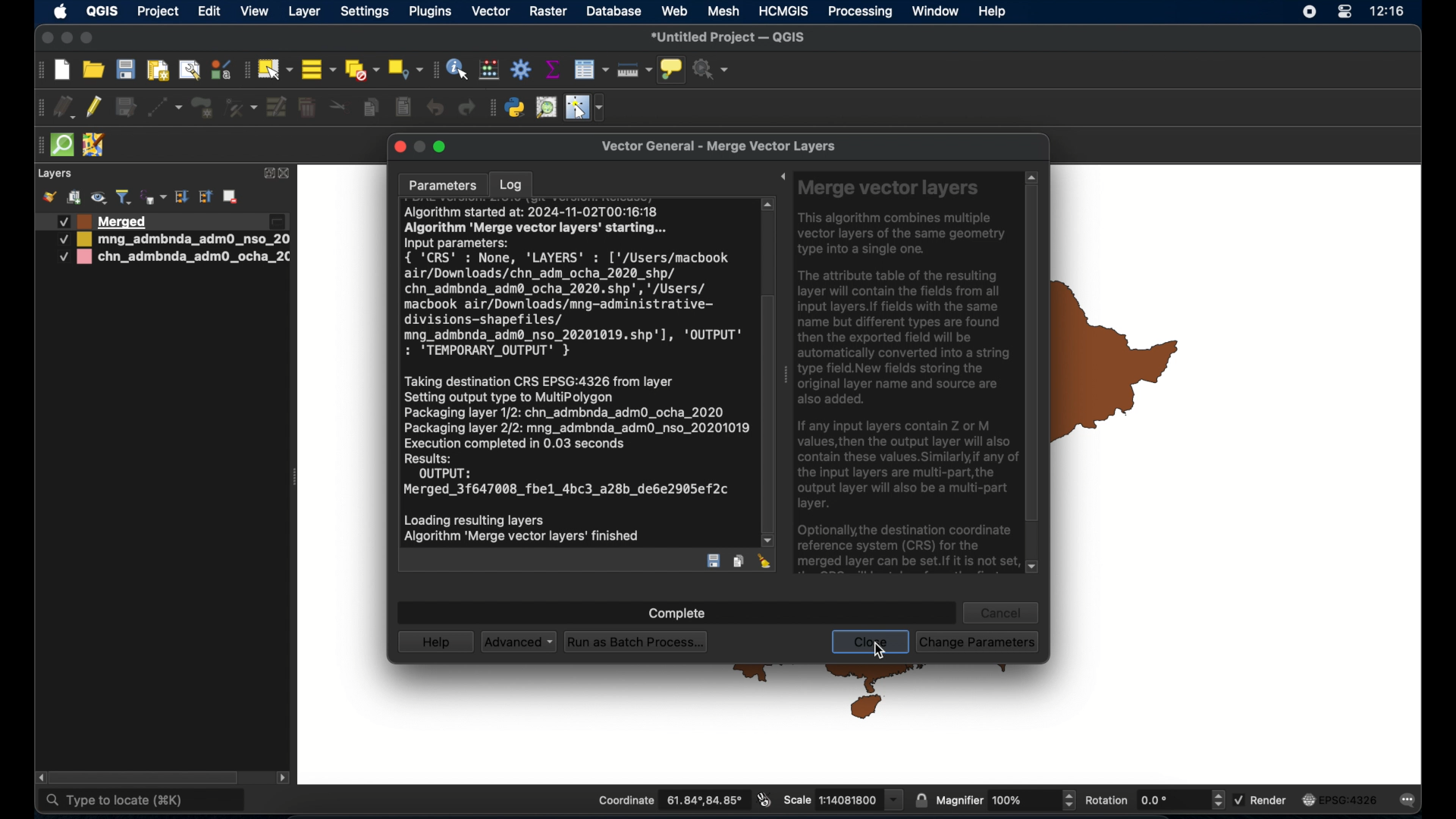 This screenshot has width=1456, height=819. Describe the element at coordinates (1034, 568) in the screenshot. I see `scroll down arrow` at that location.